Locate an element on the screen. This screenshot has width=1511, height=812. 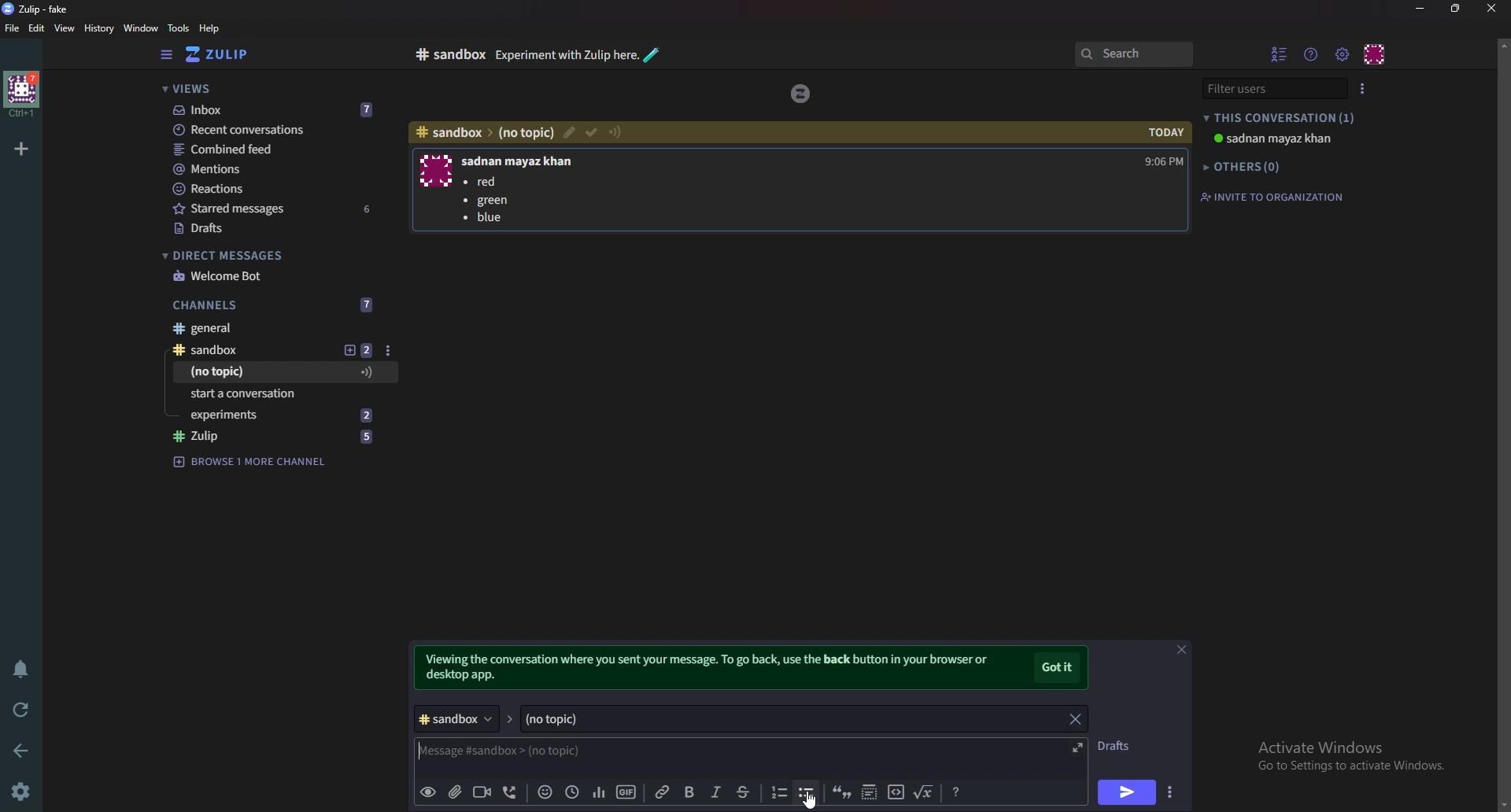
Window is located at coordinates (143, 28).